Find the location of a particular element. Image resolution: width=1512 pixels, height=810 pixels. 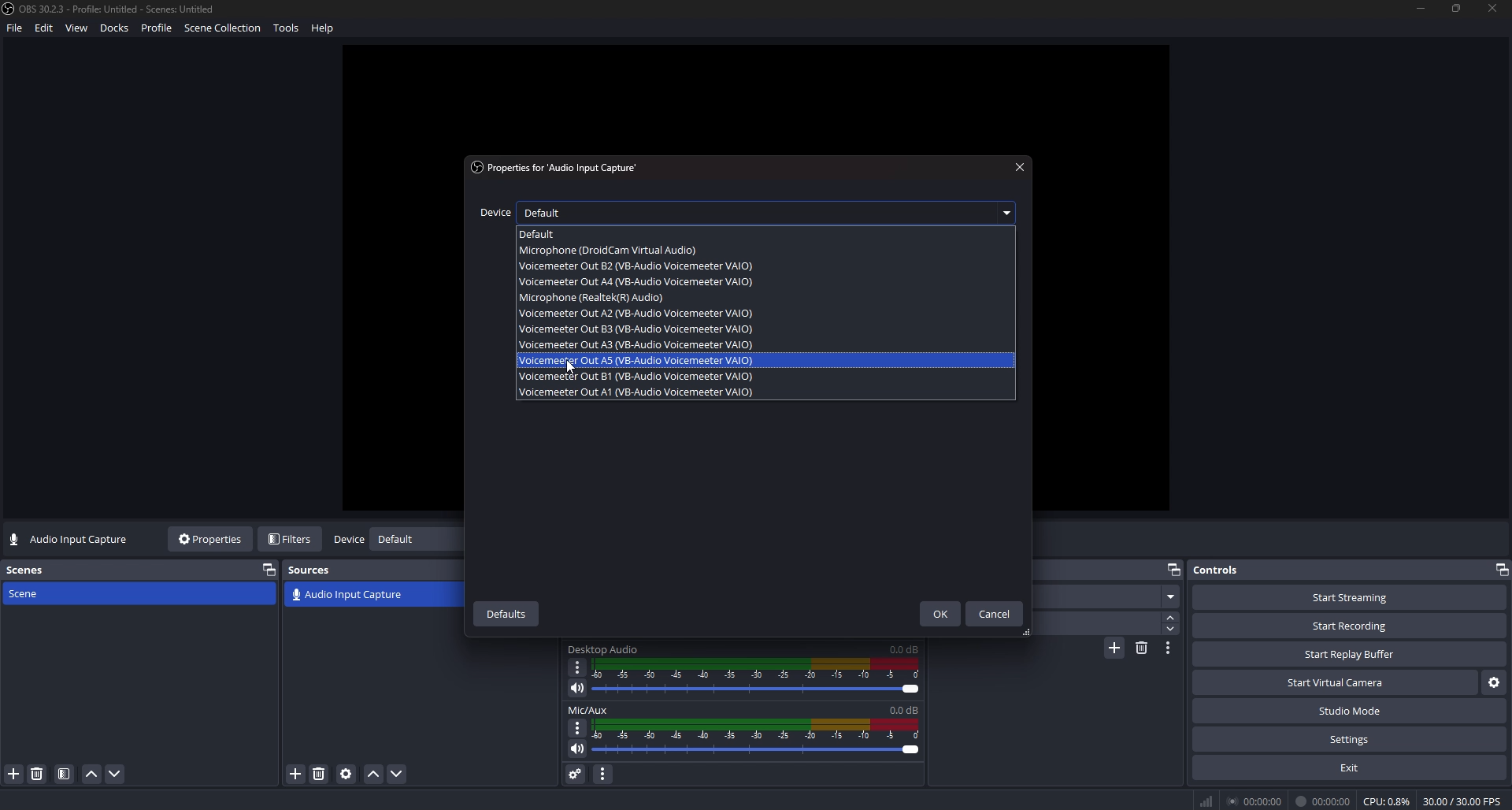

settings is located at coordinates (1349, 740).